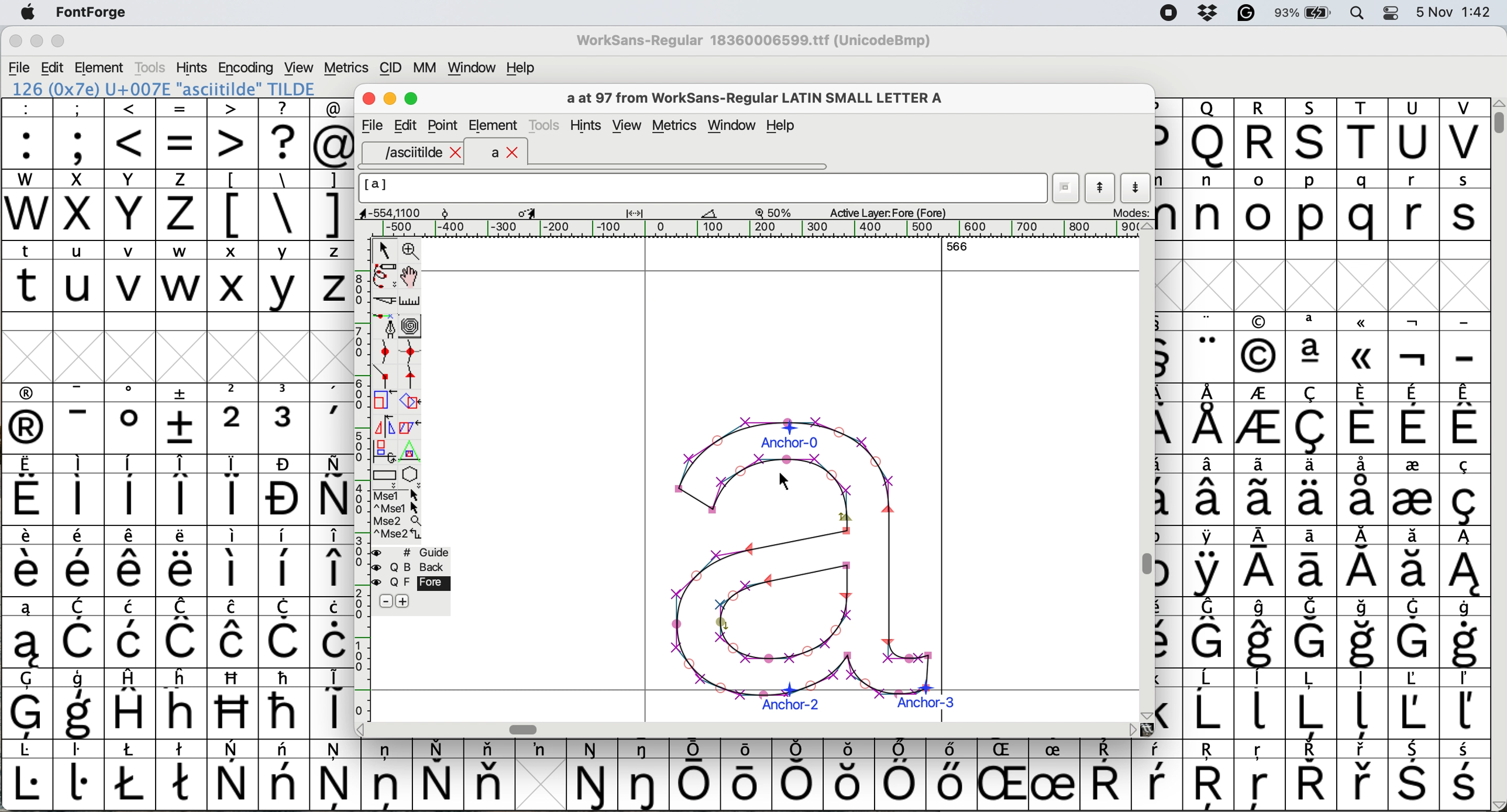  I want to click on measure distance, so click(411, 301).